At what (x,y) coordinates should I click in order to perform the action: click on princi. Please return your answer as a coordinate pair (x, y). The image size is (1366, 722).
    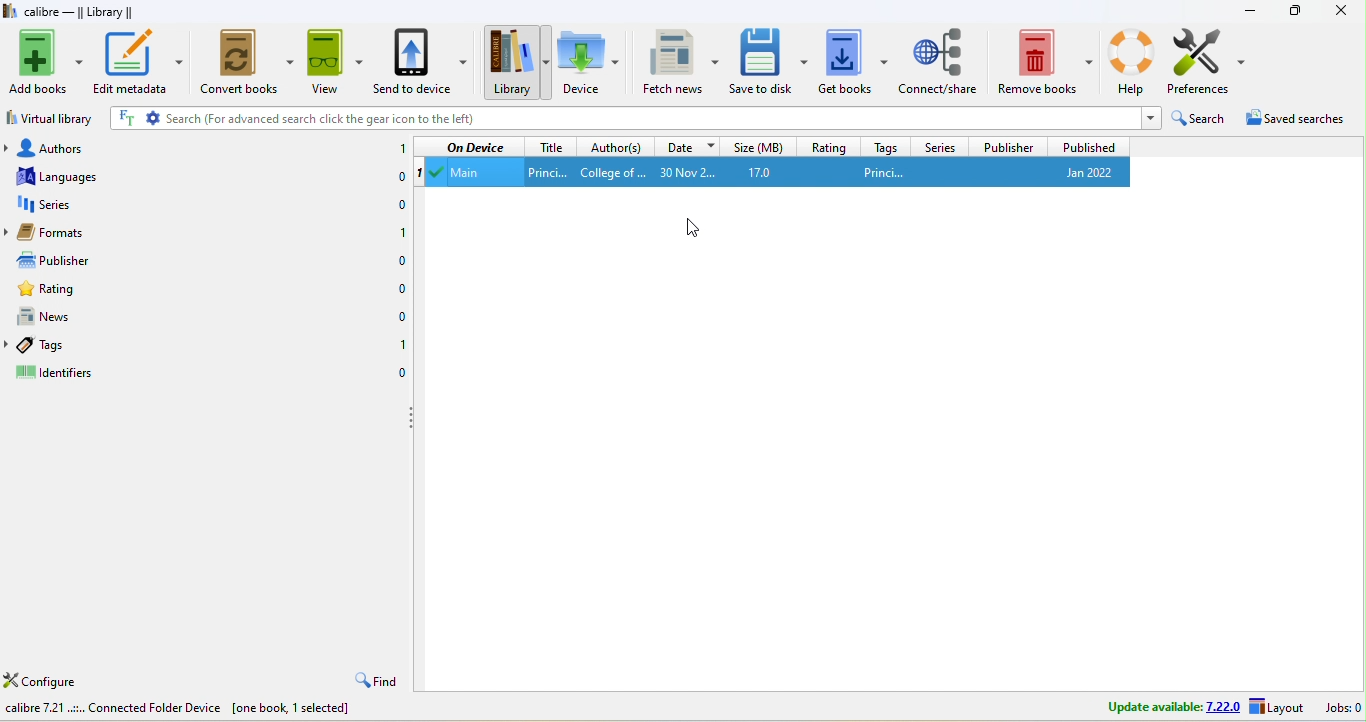
    Looking at the image, I should click on (923, 171).